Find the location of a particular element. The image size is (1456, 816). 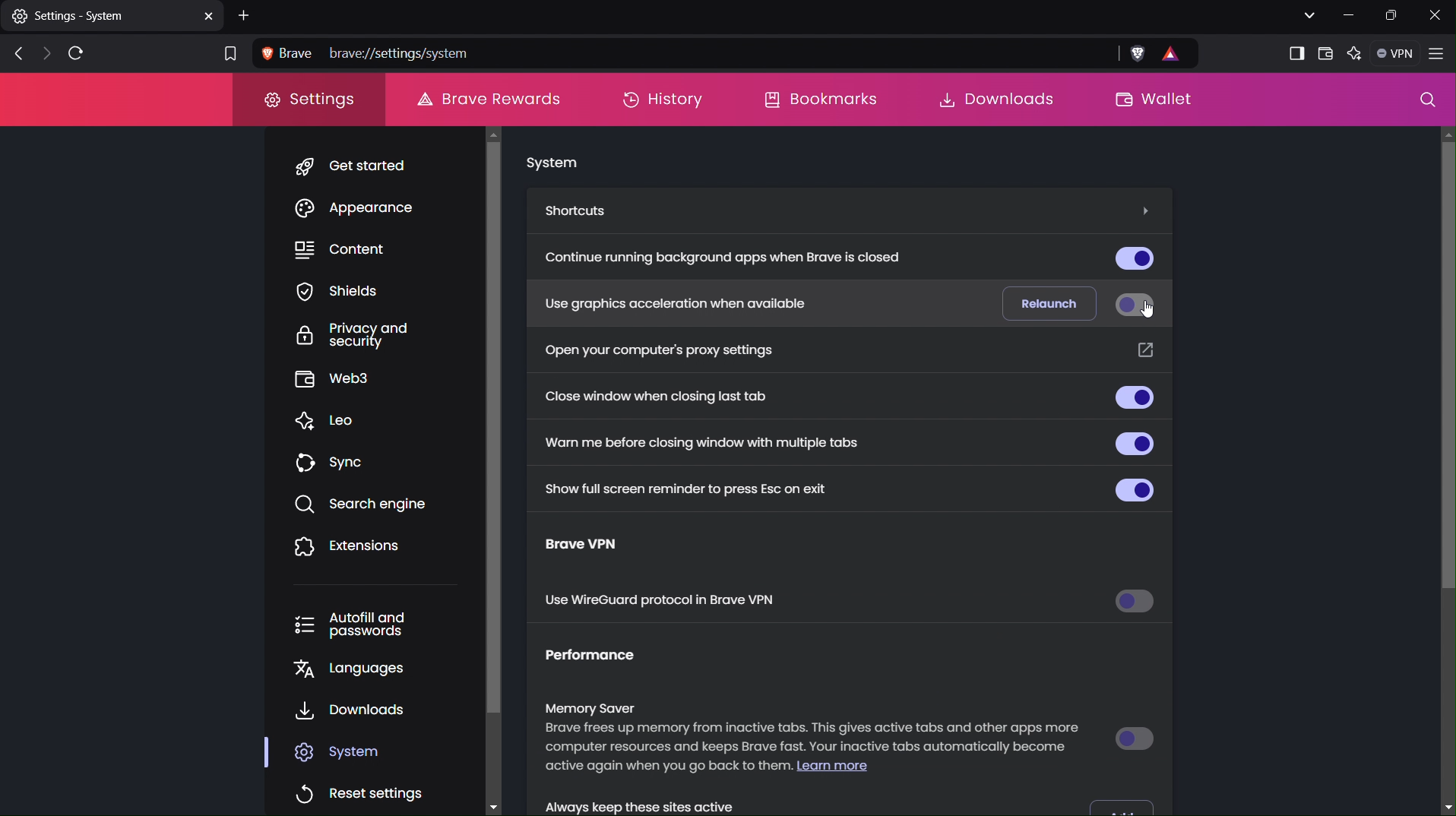

Close window when closing last tab is located at coordinates (669, 397).